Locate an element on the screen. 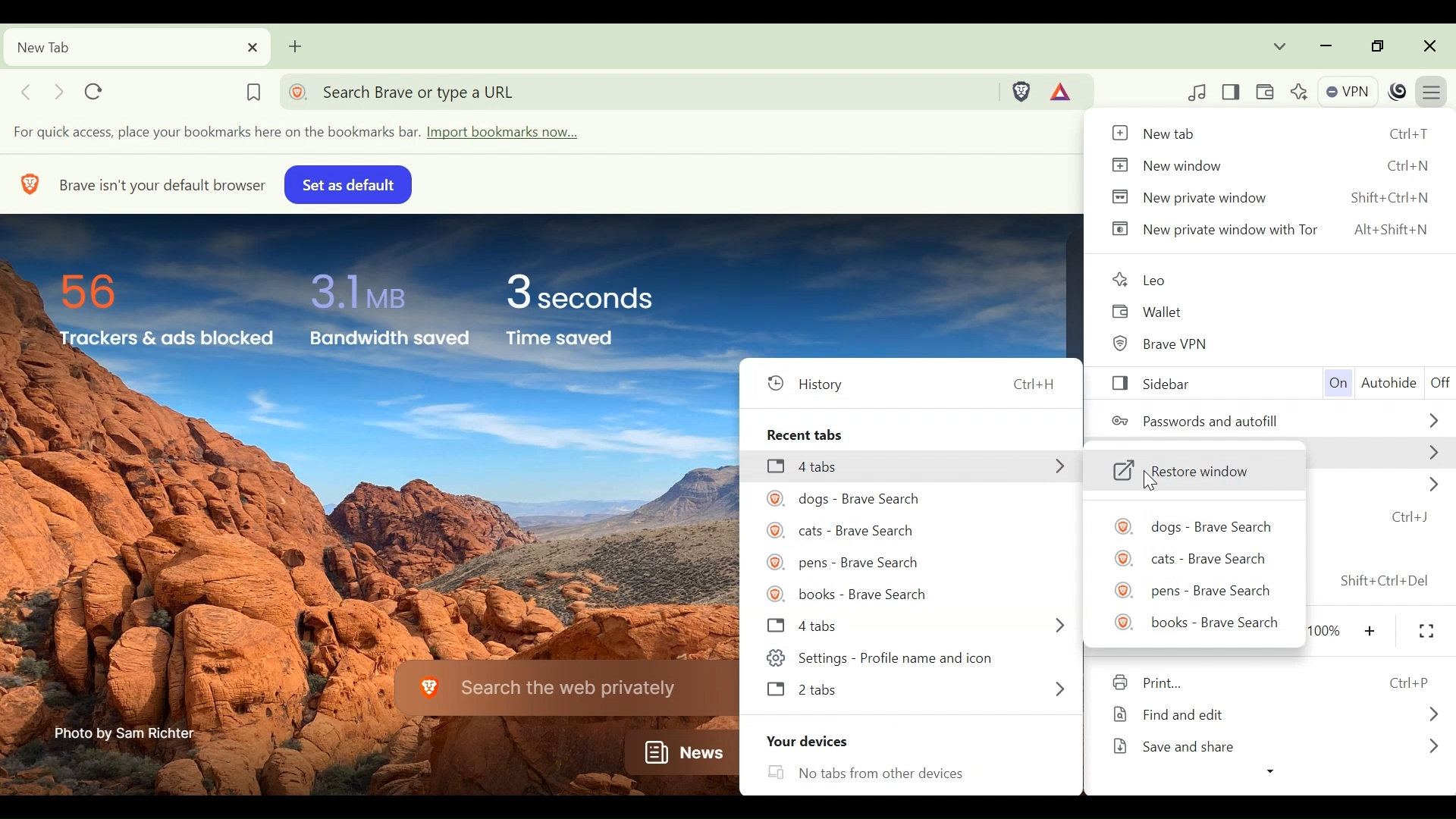  Show/Hide Sidebar is located at coordinates (1235, 91).